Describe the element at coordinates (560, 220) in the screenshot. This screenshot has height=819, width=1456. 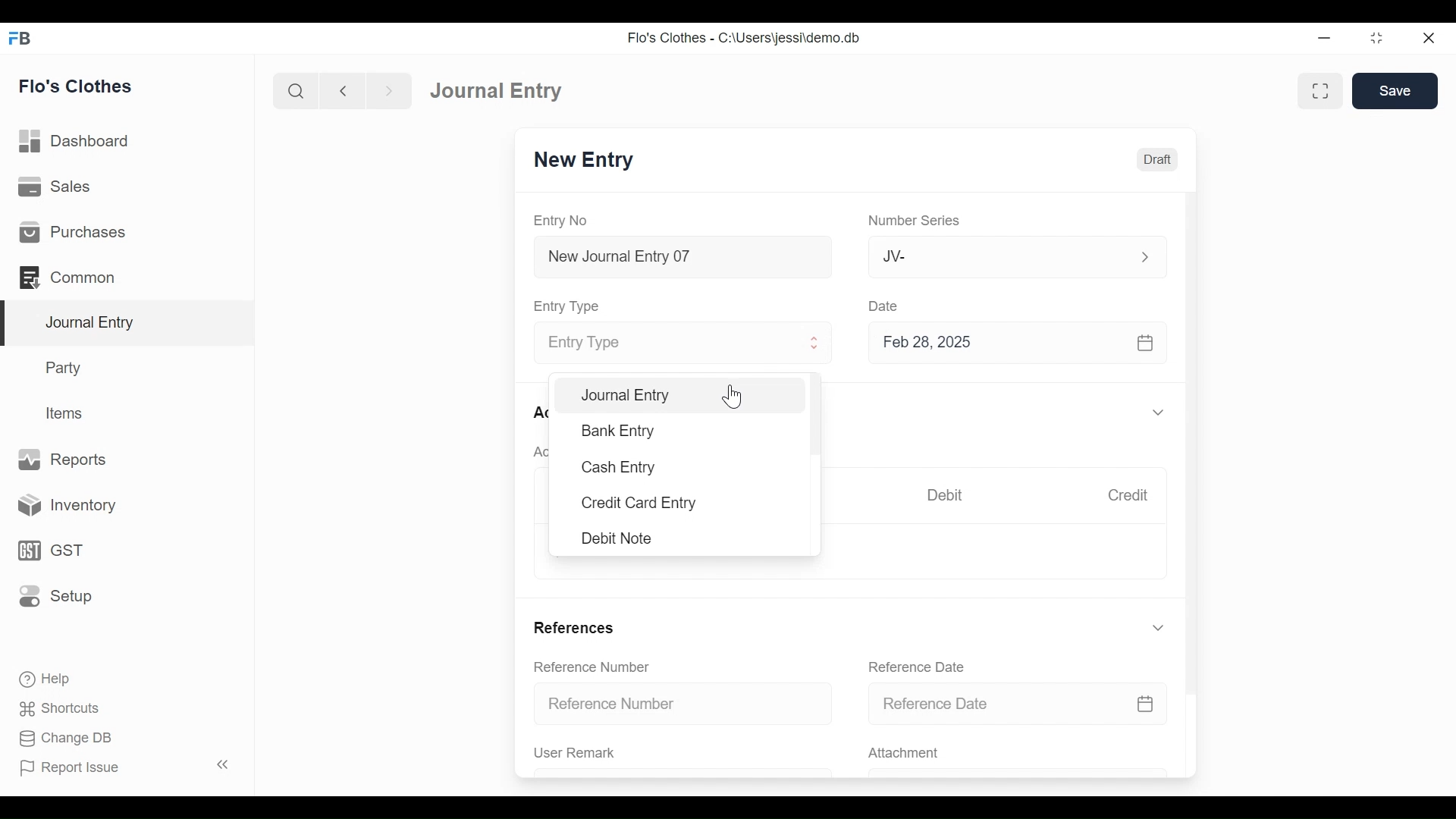
I see `Entry No` at that location.